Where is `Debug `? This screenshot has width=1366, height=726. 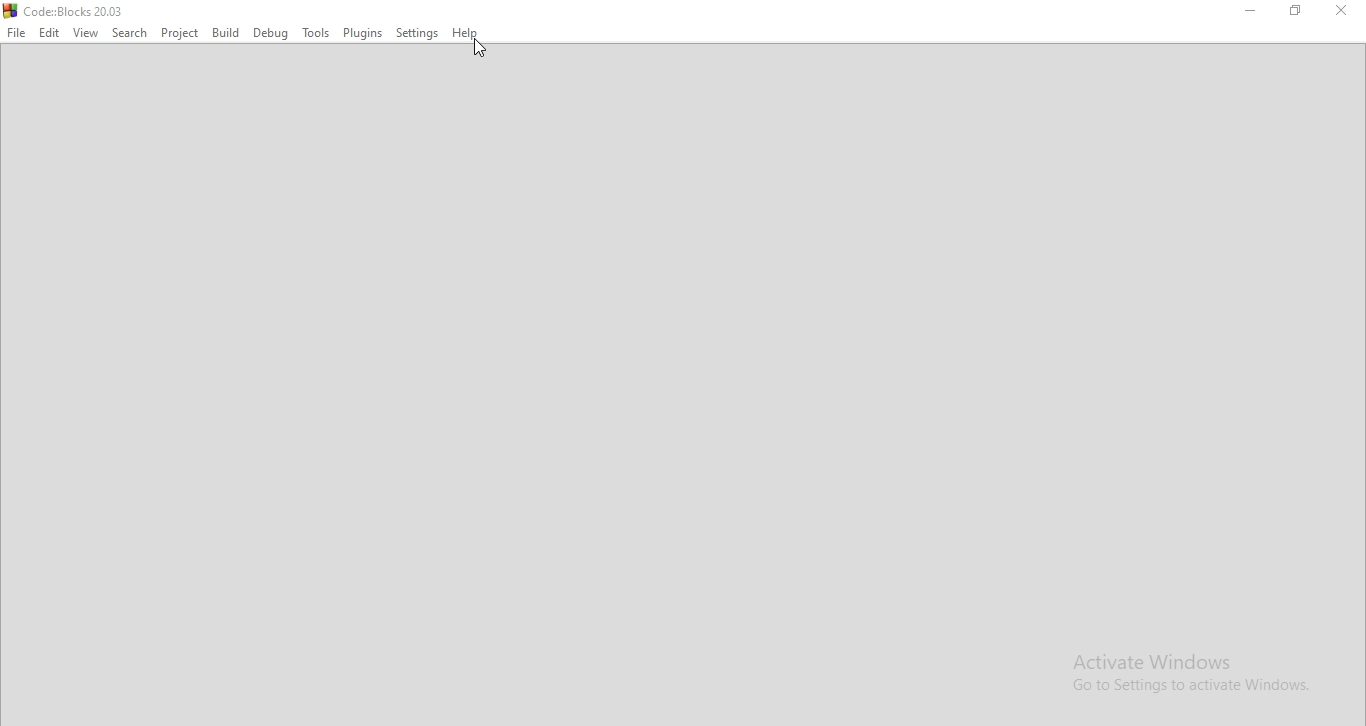 Debug  is located at coordinates (272, 32).